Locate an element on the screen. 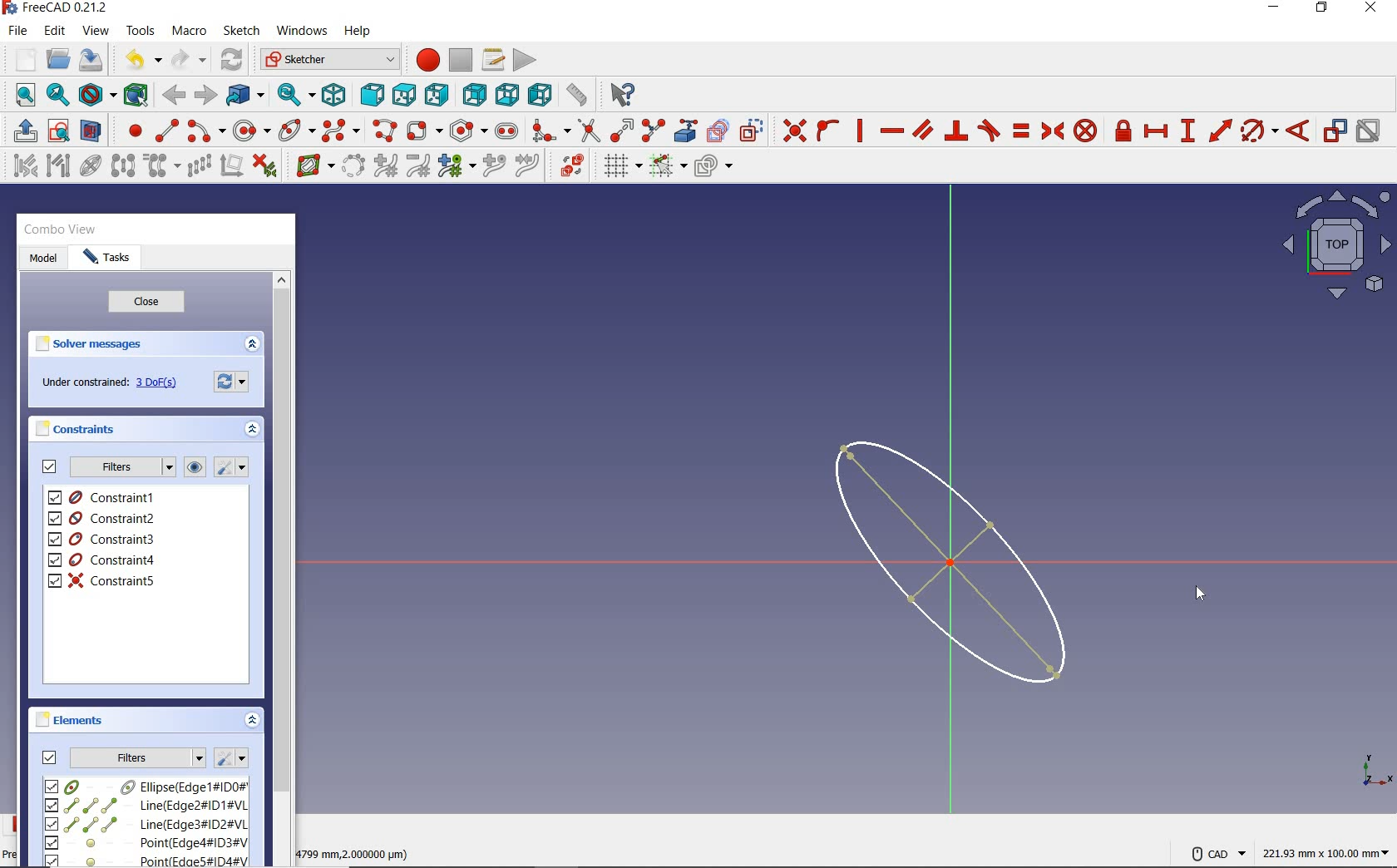 The height and width of the screenshot is (868, 1397). remove axes alignment is located at coordinates (230, 167).